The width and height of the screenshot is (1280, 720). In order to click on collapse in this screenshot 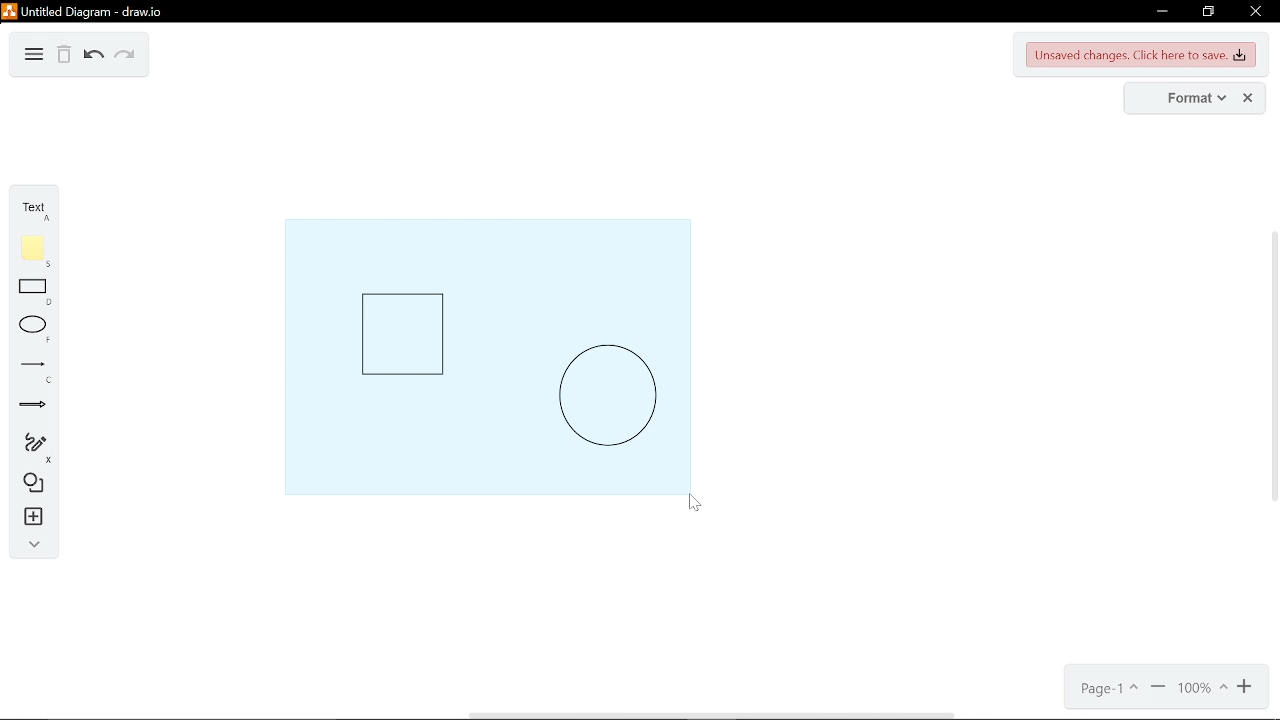, I will do `click(28, 544)`.